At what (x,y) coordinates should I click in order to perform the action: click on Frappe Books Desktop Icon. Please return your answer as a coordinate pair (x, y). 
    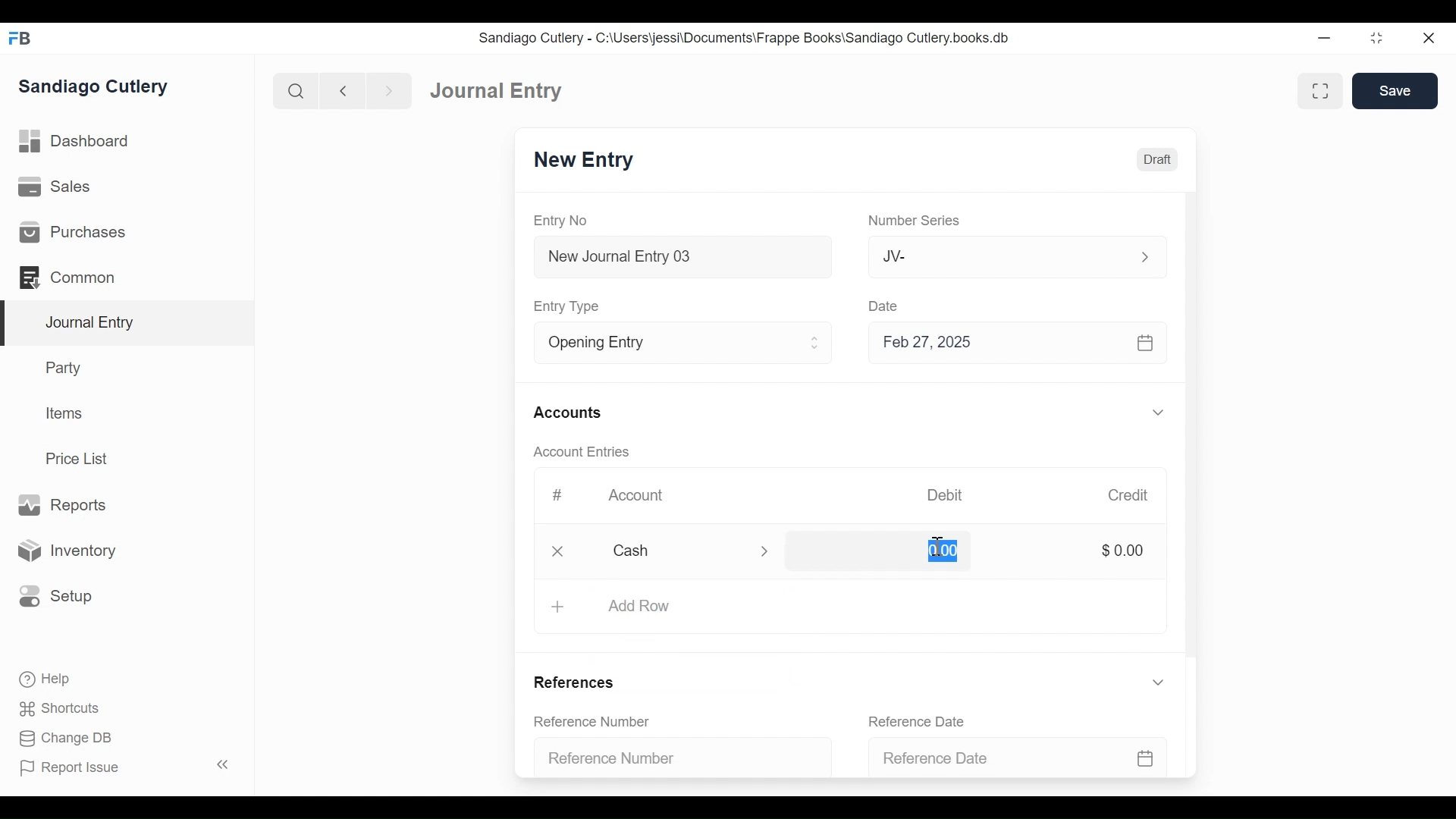
    Looking at the image, I should click on (20, 39).